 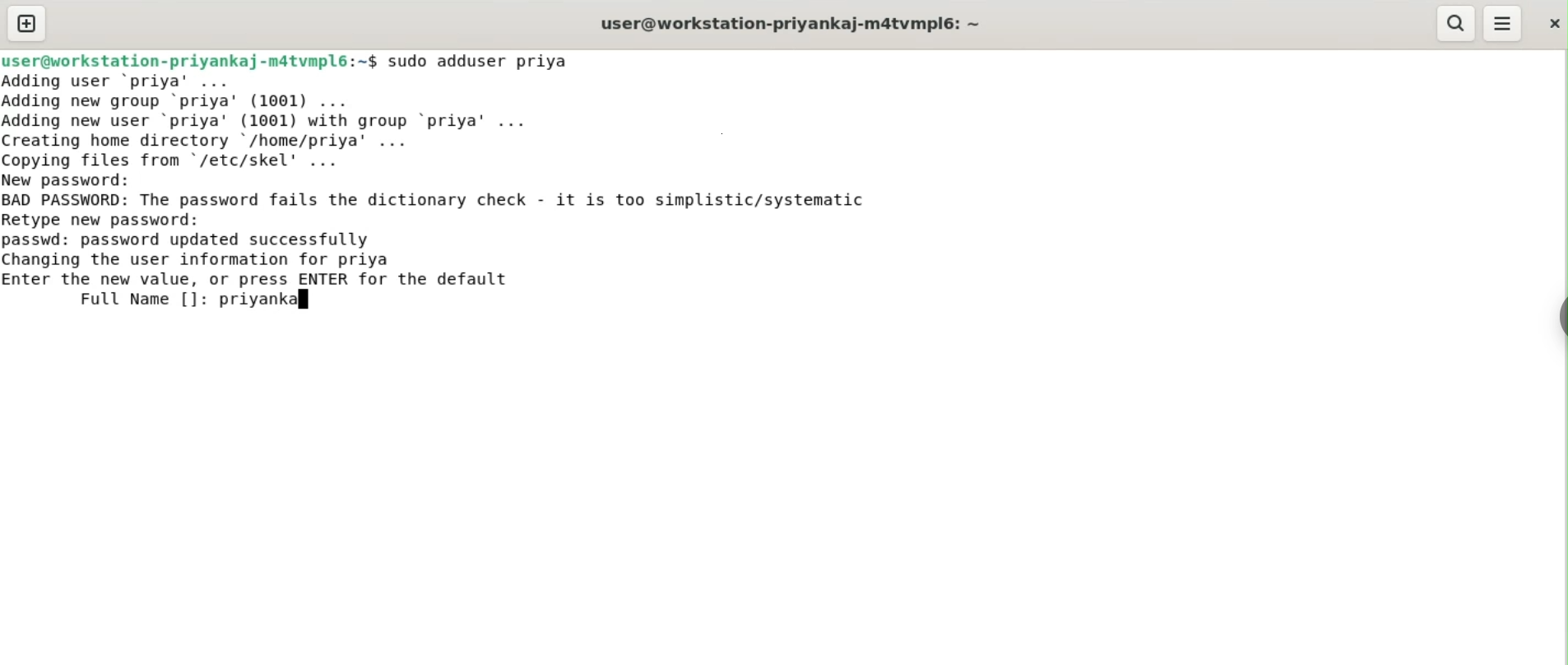 What do you see at coordinates (1560, 318) in the screenshot?
I see `sidebar` at bounding box center [1560, 318].